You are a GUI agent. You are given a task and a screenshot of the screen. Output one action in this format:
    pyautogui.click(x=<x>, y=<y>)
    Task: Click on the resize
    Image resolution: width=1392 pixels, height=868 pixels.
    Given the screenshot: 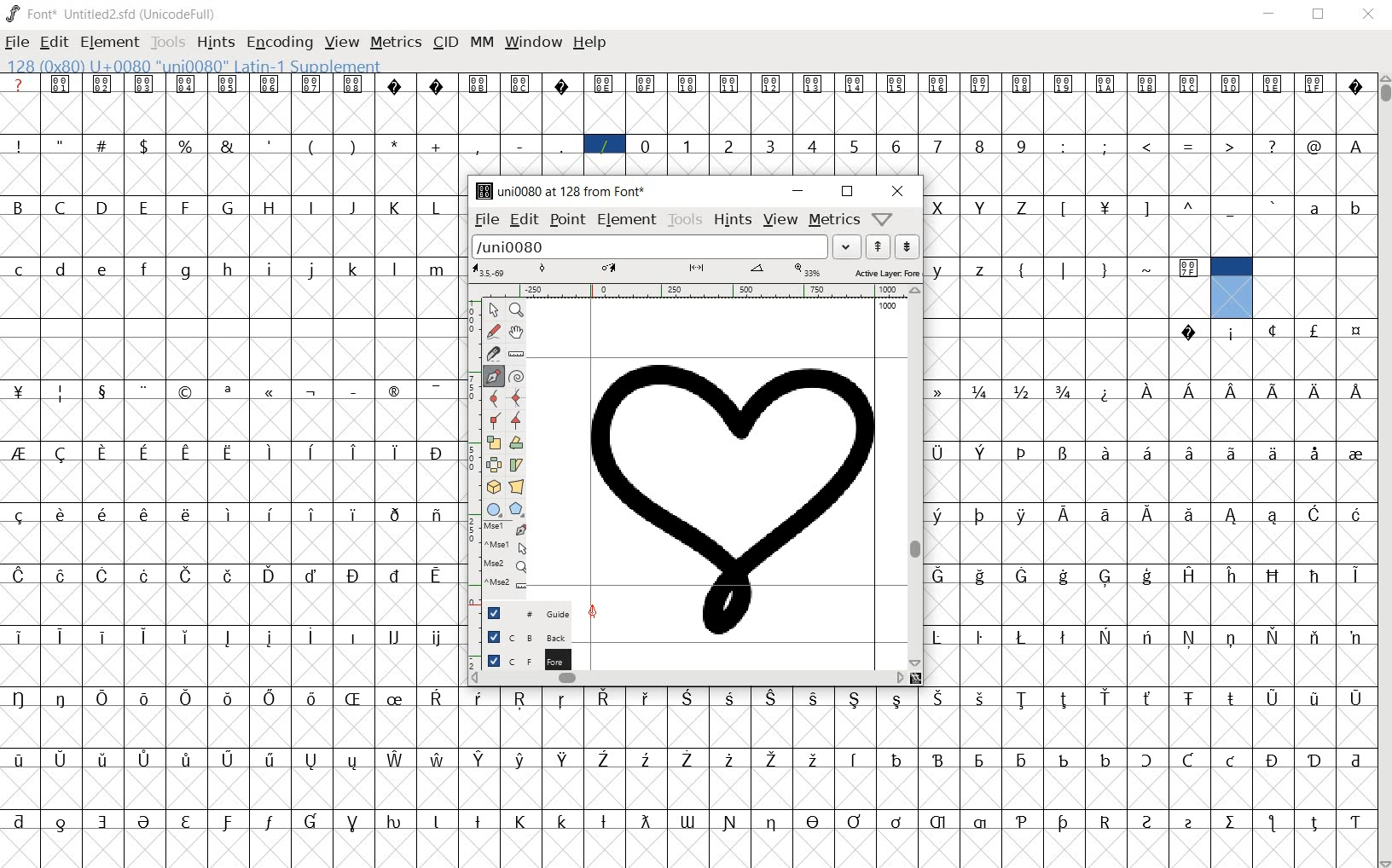 What is the action you would take?
    pyautogui.click(x=917, y=678)
    